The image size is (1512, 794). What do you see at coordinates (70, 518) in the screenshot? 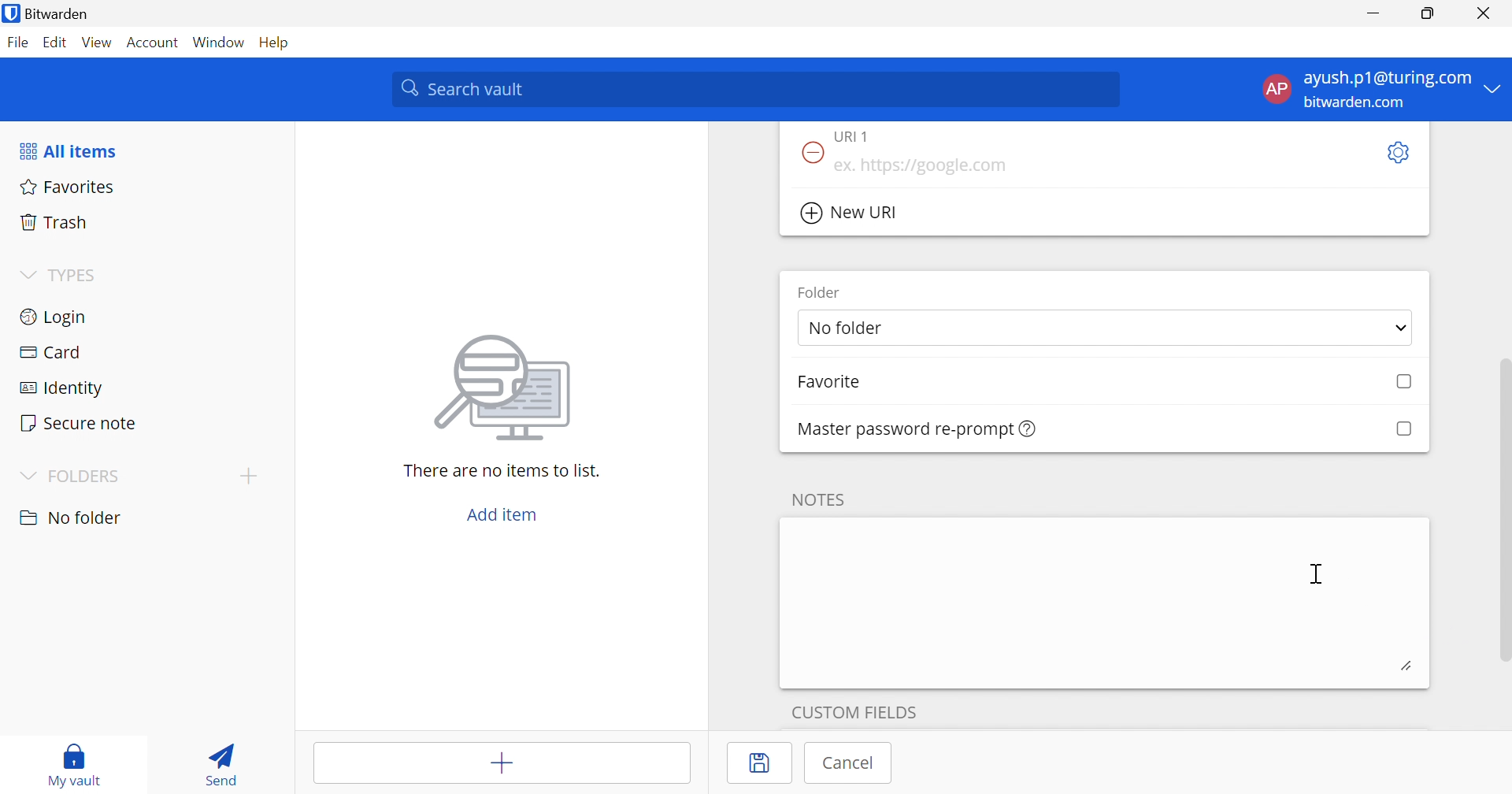
I see `nO FOLDER` at bounding box center [70, 518].